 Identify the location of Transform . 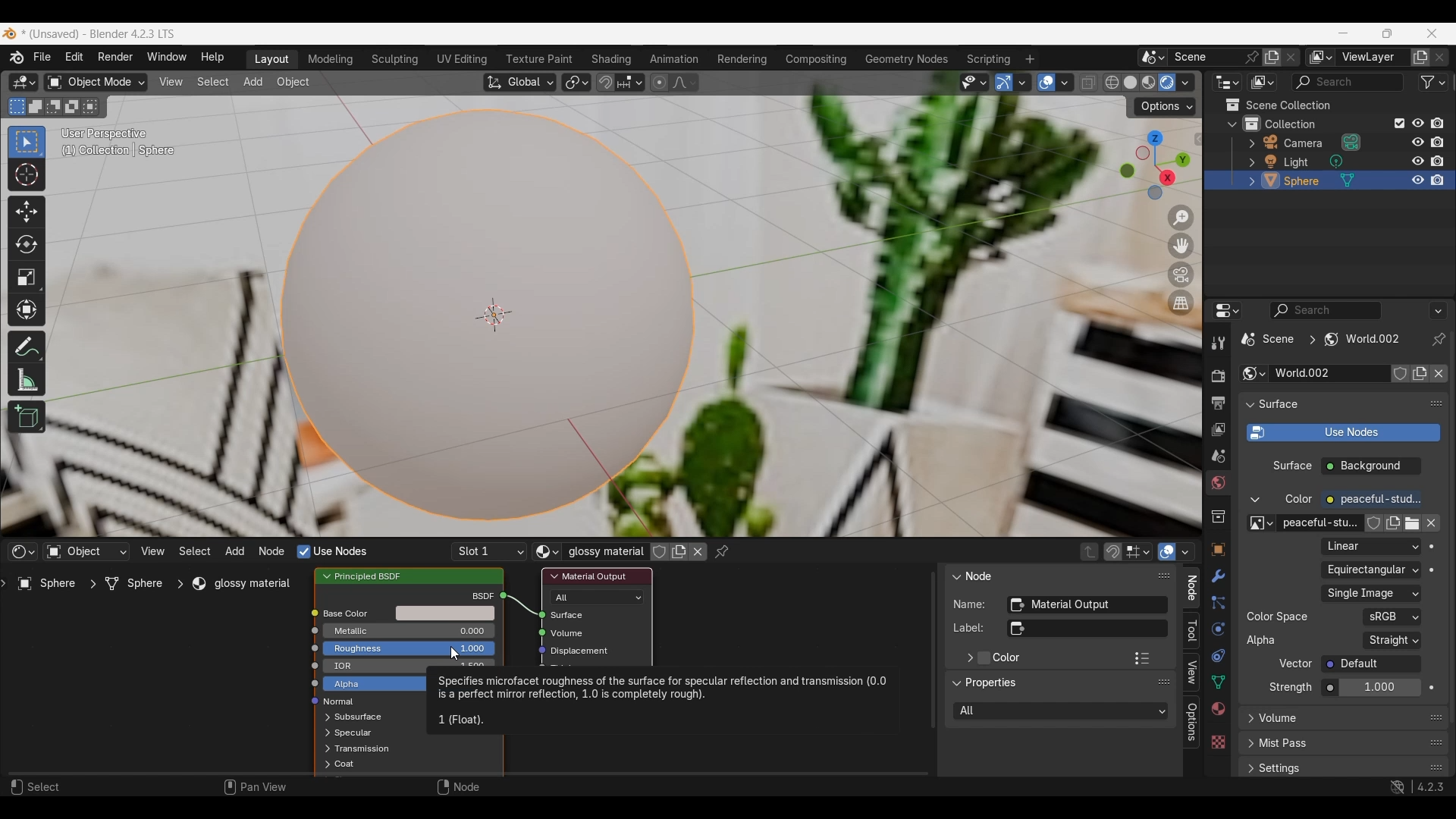
(27, 310).